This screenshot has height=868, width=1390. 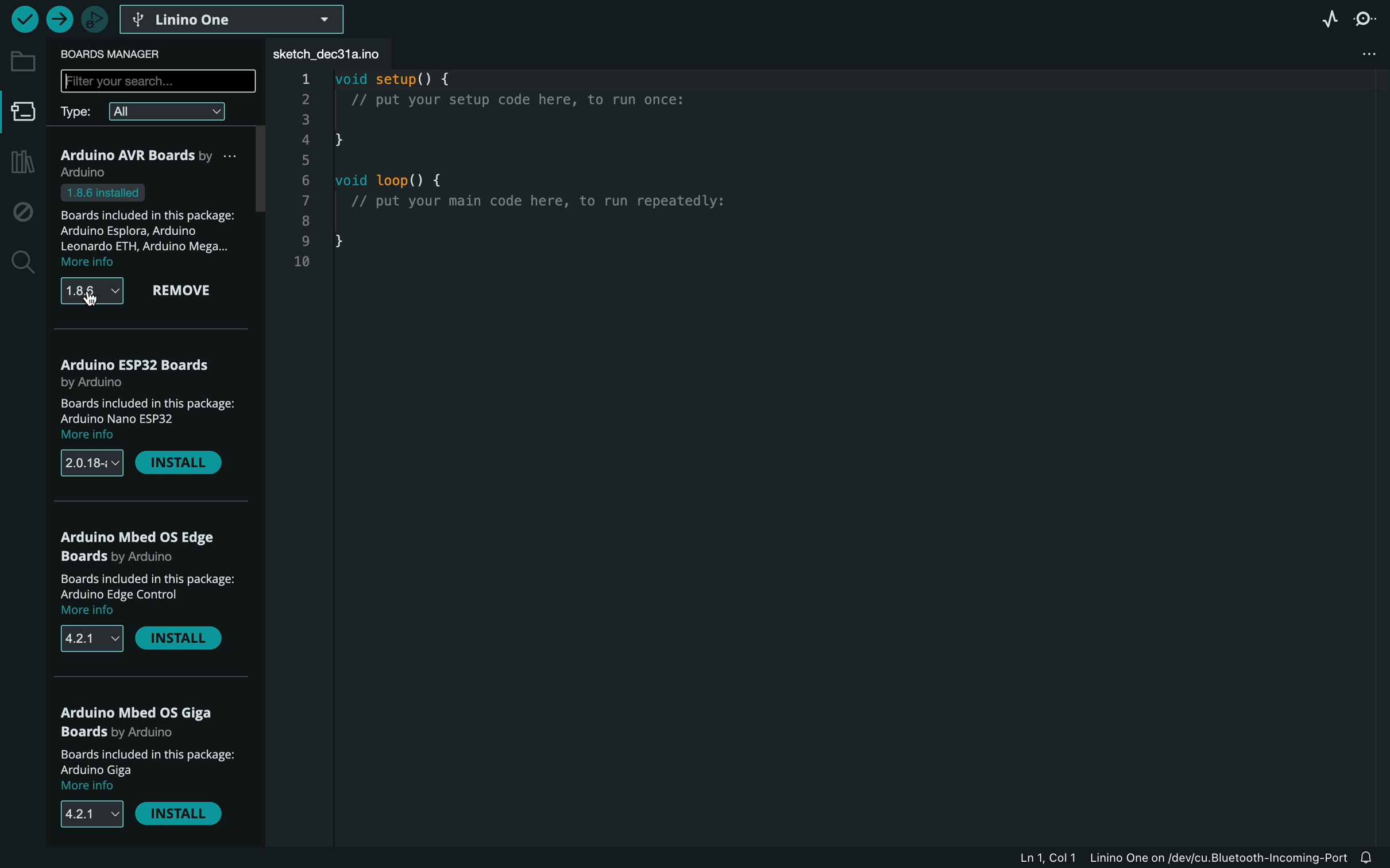 What do you see at coordinates (94, 19) in the screenshot?
I see `debugger` at bounding box center [94, 19].